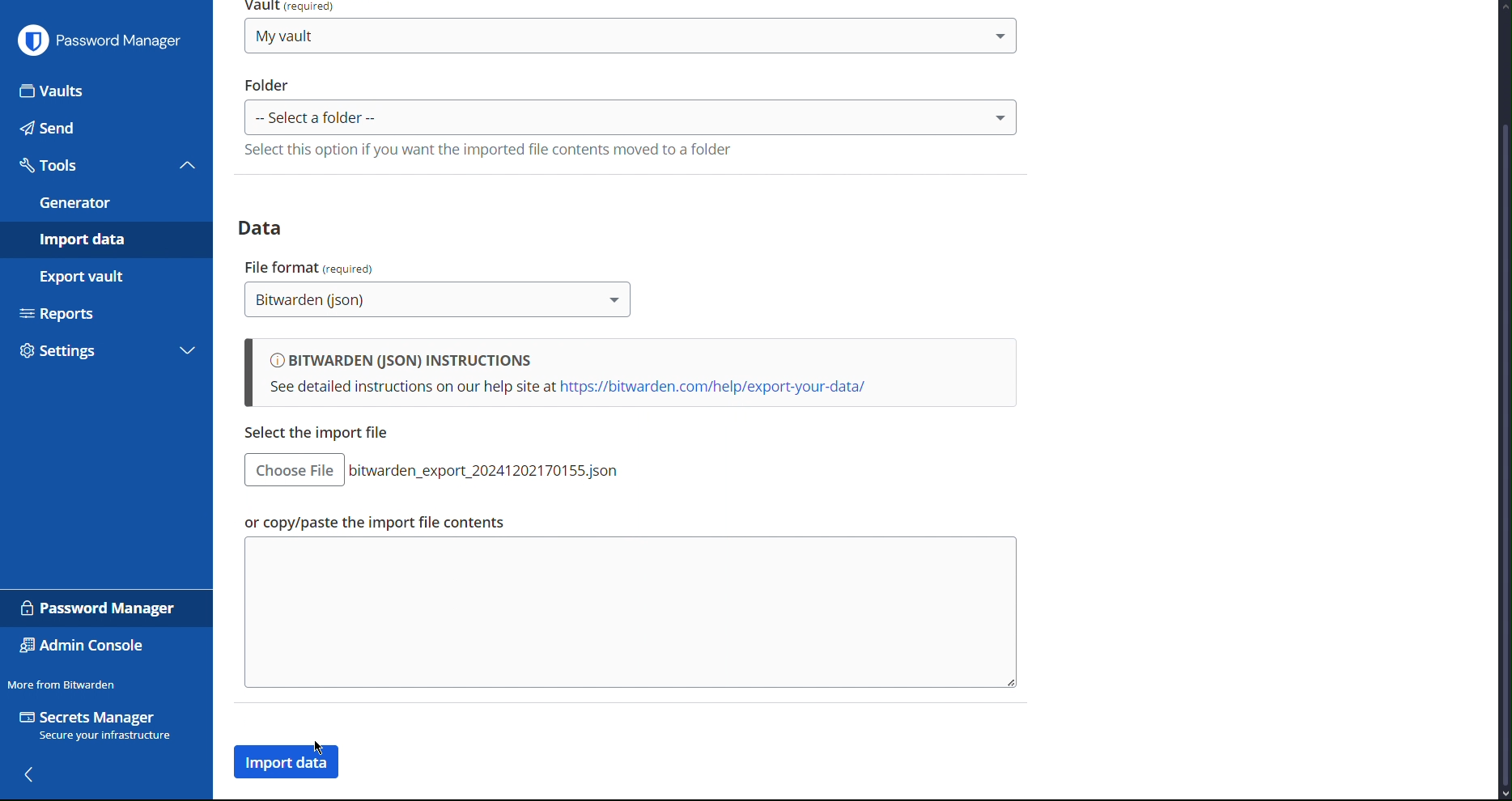  I want to click on select this option if you wanr rge impported file contents moved to a folder, so click(486, 150).